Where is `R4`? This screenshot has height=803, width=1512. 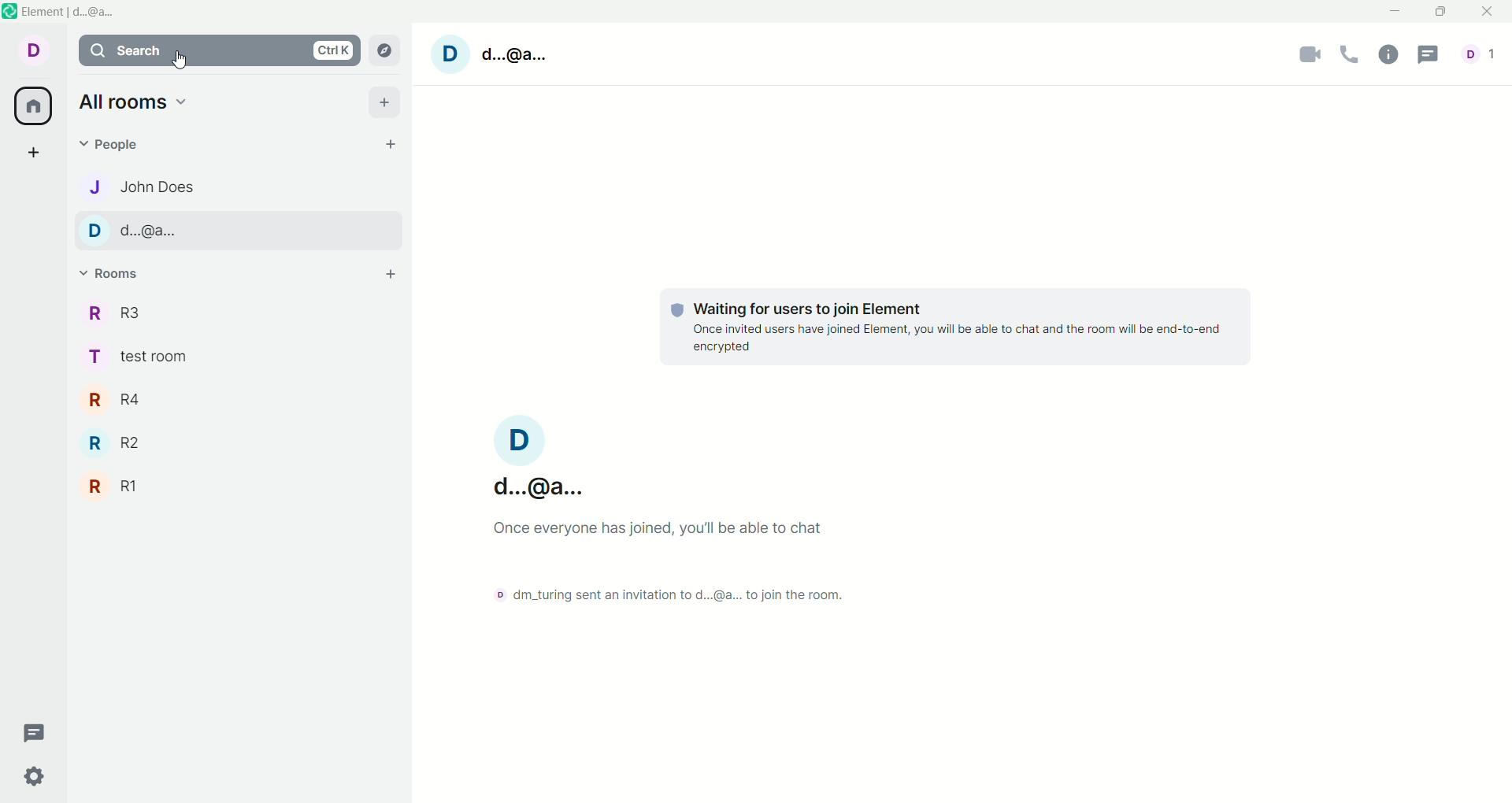
R4 is located at coordinates (239, 398).